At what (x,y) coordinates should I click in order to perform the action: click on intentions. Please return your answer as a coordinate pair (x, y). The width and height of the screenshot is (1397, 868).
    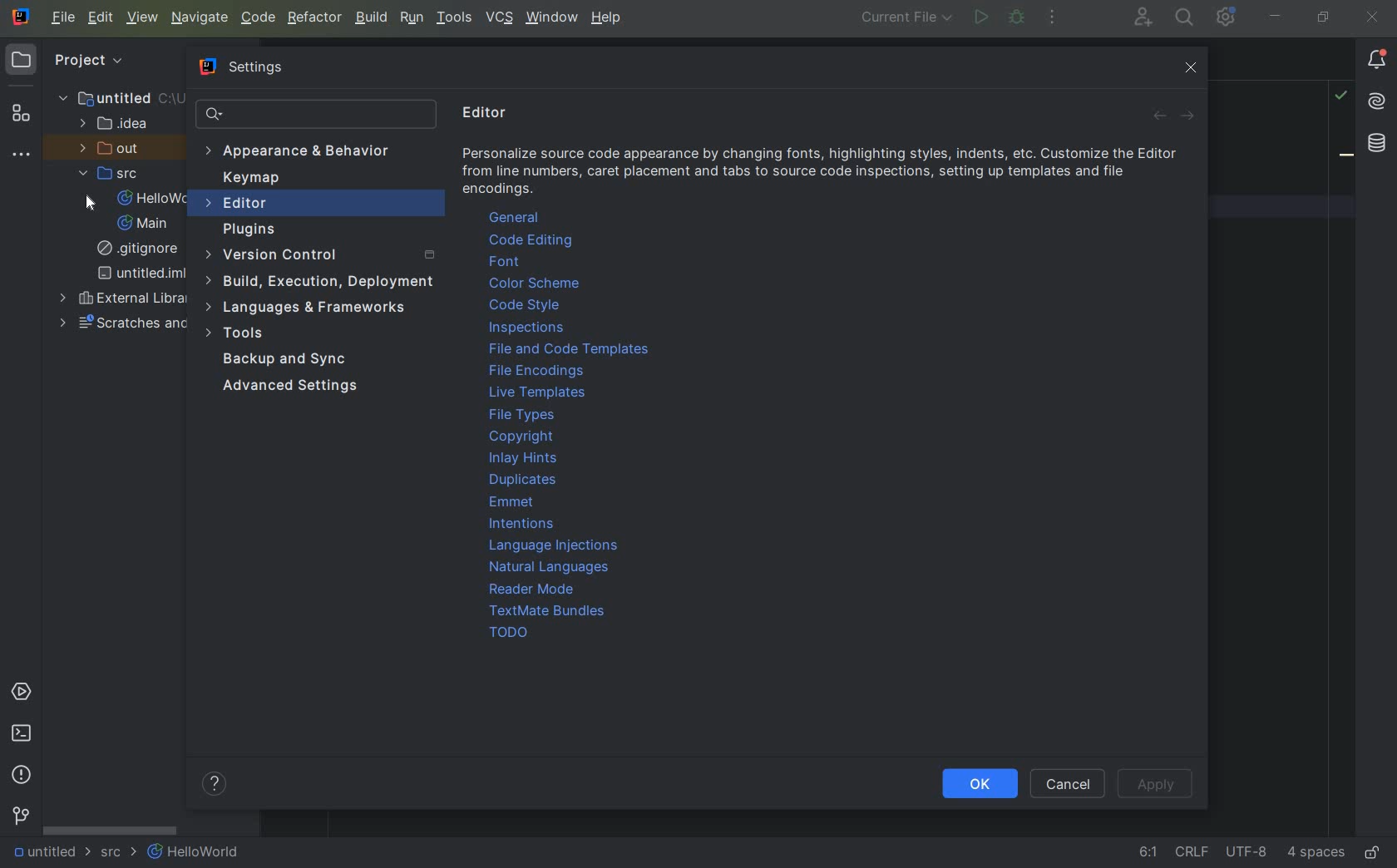
    Looking at the image, I should click on (521, 525).